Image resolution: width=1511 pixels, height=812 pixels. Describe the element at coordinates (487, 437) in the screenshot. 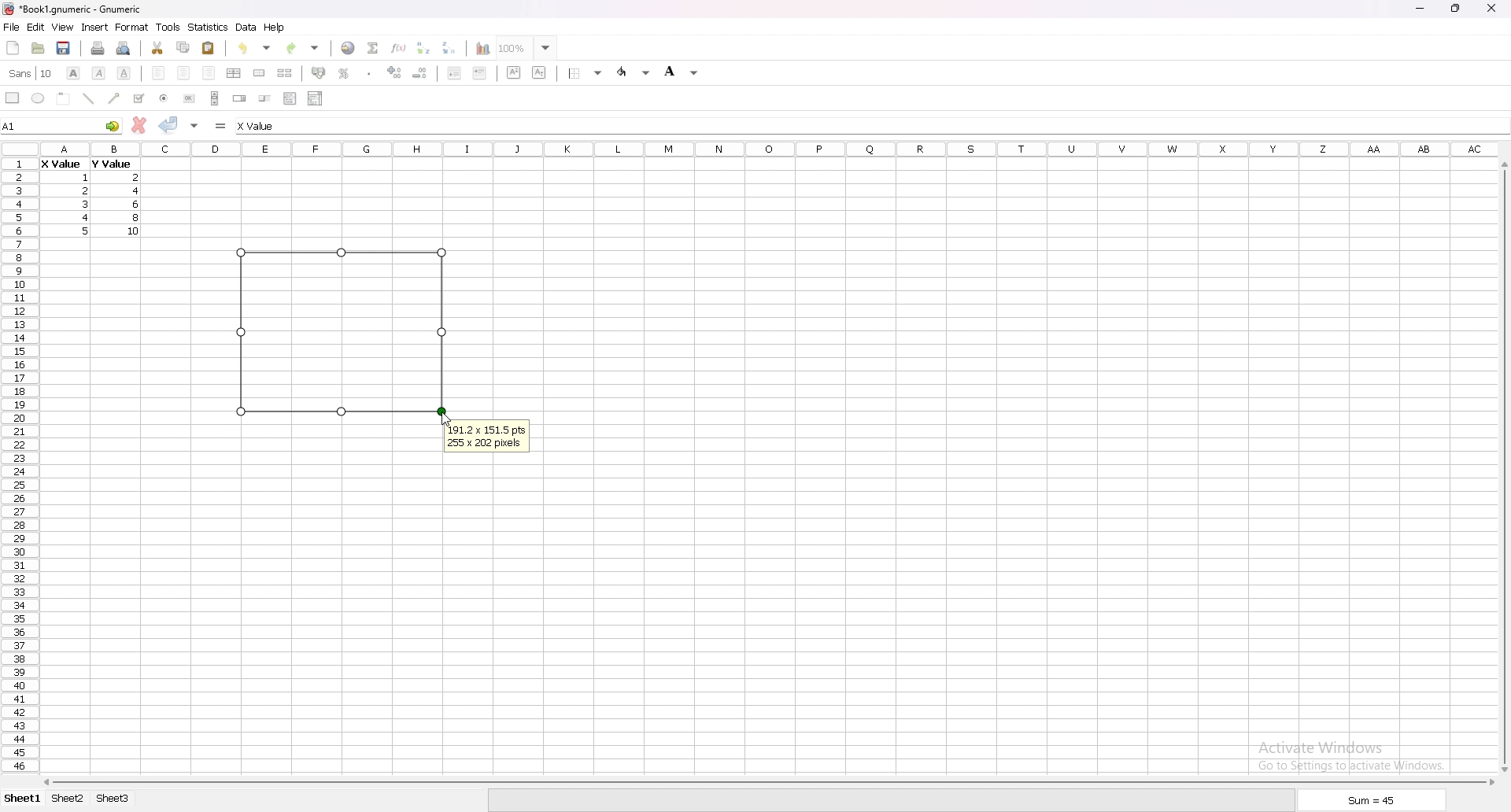

I see `area description` at that location.